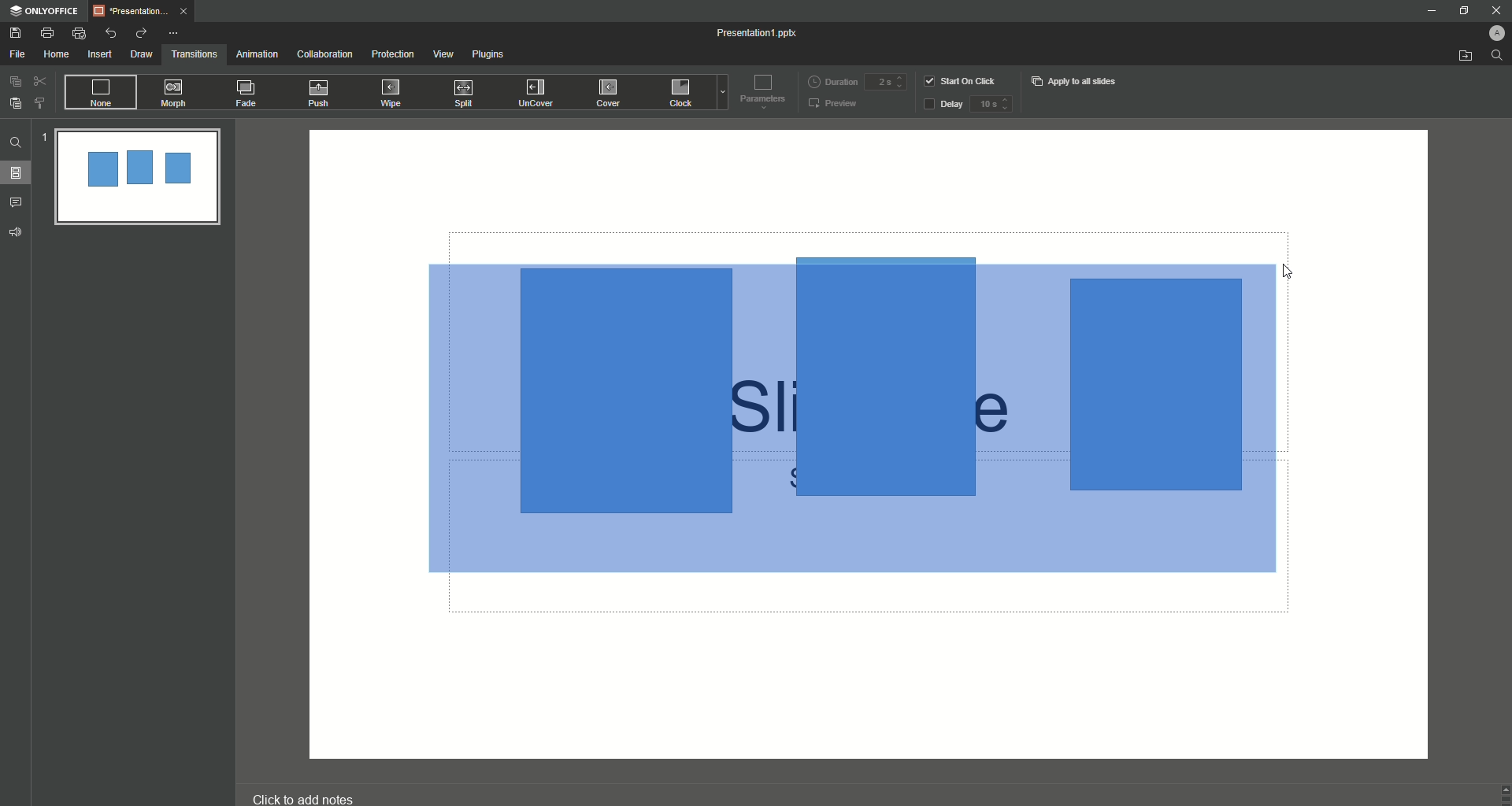 The image size is (1512, 806). What do you see at coordinates (112, 32) in the screenshot?
I see `Undo` at bounding box center [112, 32].